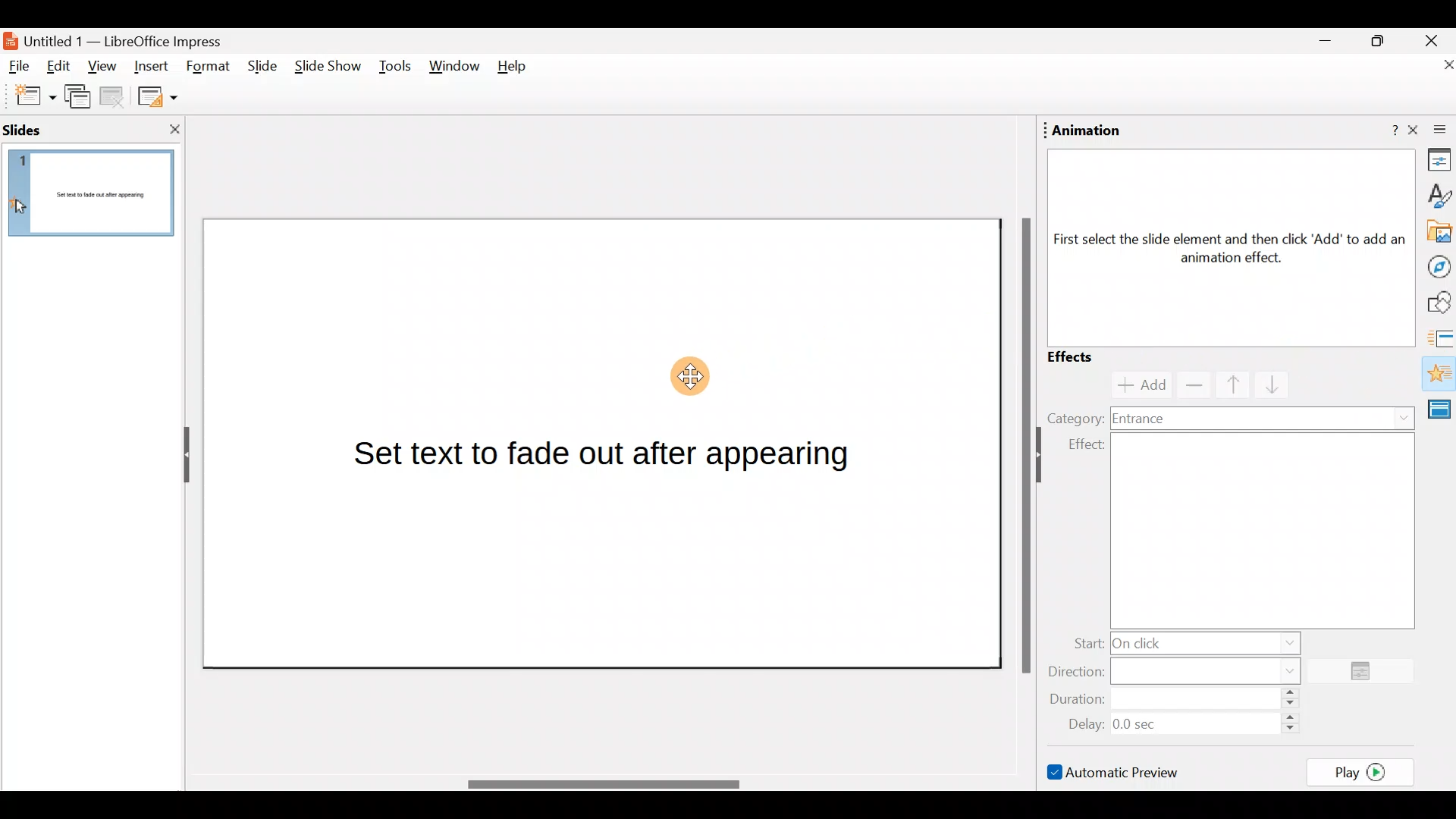 This screenshot has width=1456, height=819. Describe the element at coordinates (1441, 337) in the screenshot. I see `Slides transition` at that location.